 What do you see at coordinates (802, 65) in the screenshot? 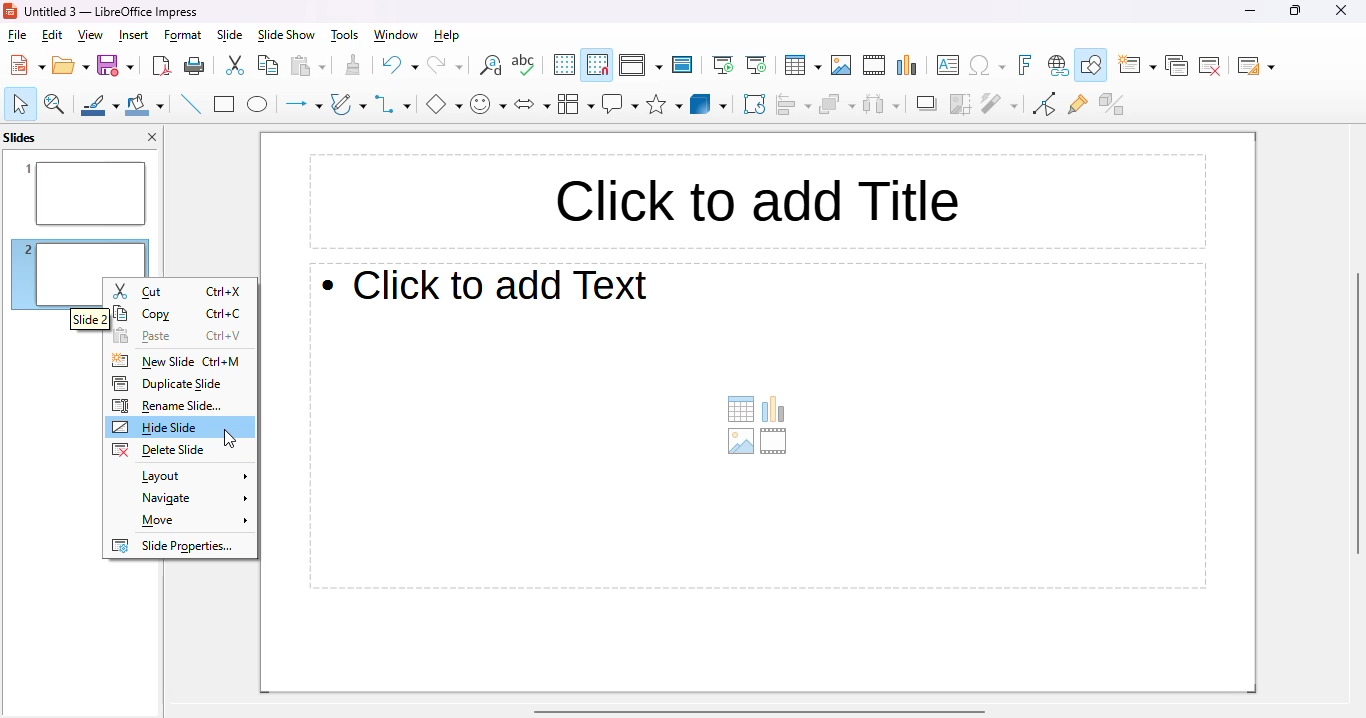
I see `table` at bounding box center [802, 65].